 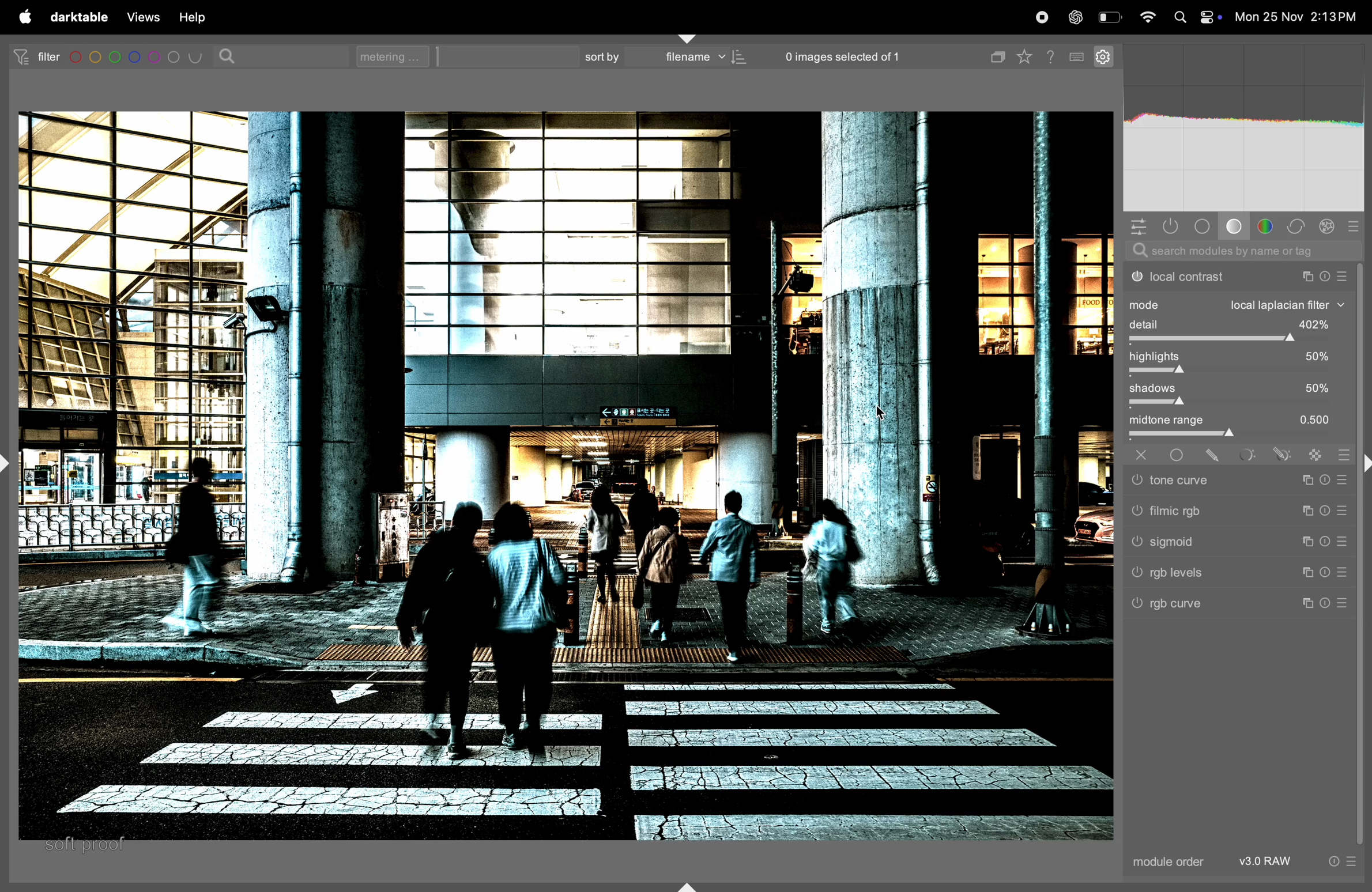 What do you see at coordinates (230, 55) in the screenshot?
I see `search` at bounding box center [230, 55].